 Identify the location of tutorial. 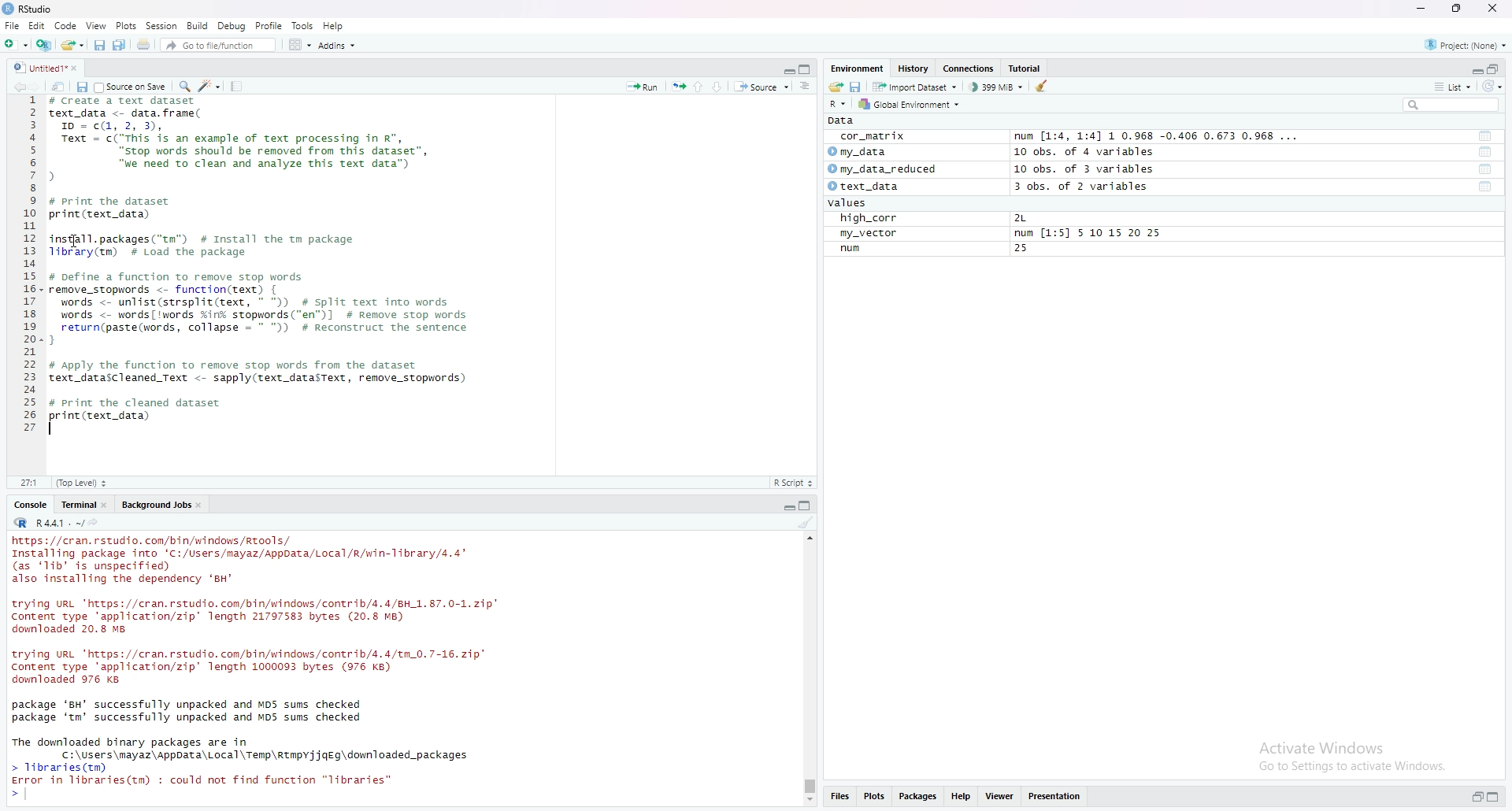
(1025, 69).